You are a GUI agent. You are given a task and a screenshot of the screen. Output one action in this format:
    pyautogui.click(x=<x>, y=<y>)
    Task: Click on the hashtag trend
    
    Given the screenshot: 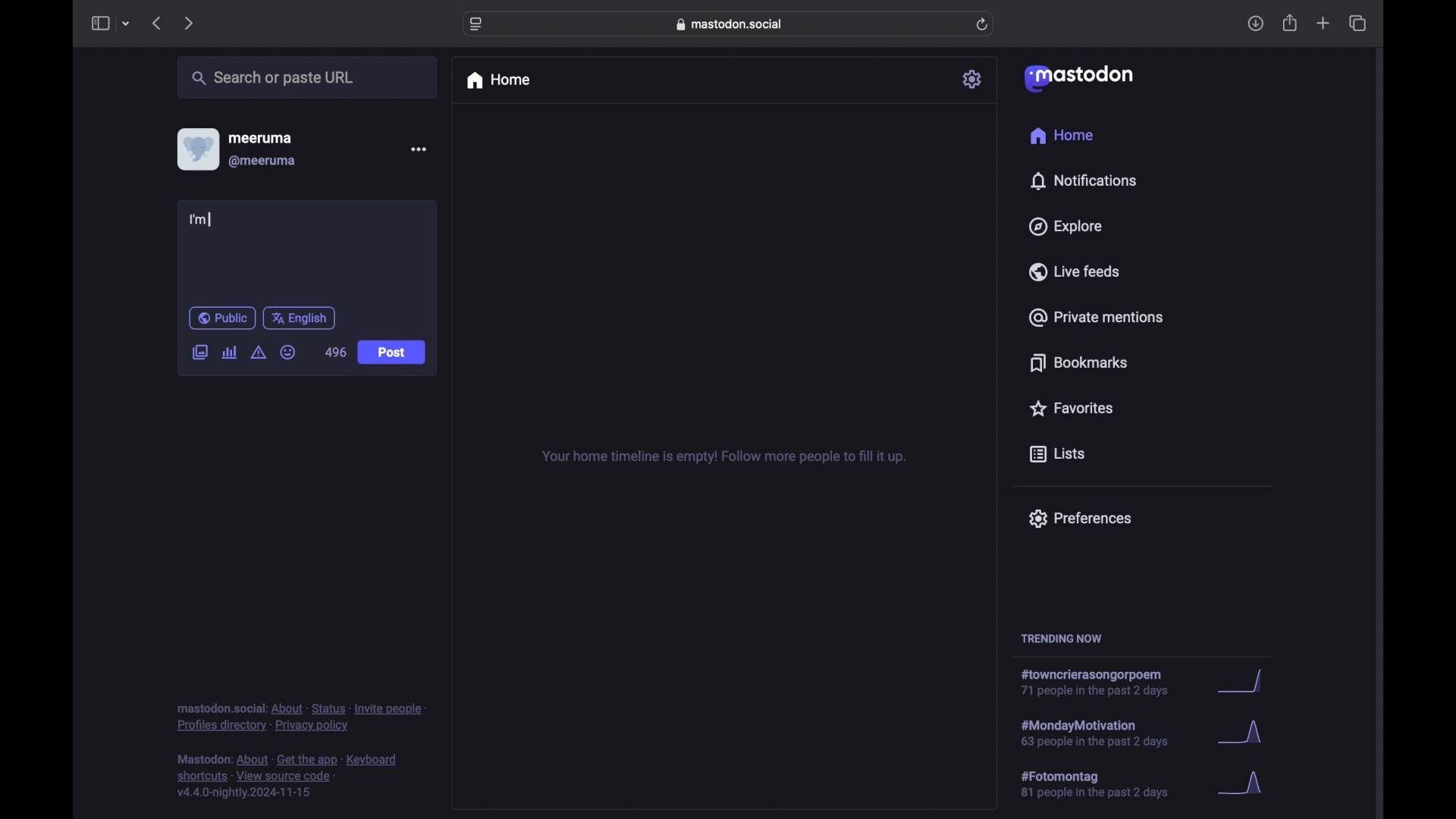 What is the action you would take?
    pyautogui.click(x=1100, y=682)
    